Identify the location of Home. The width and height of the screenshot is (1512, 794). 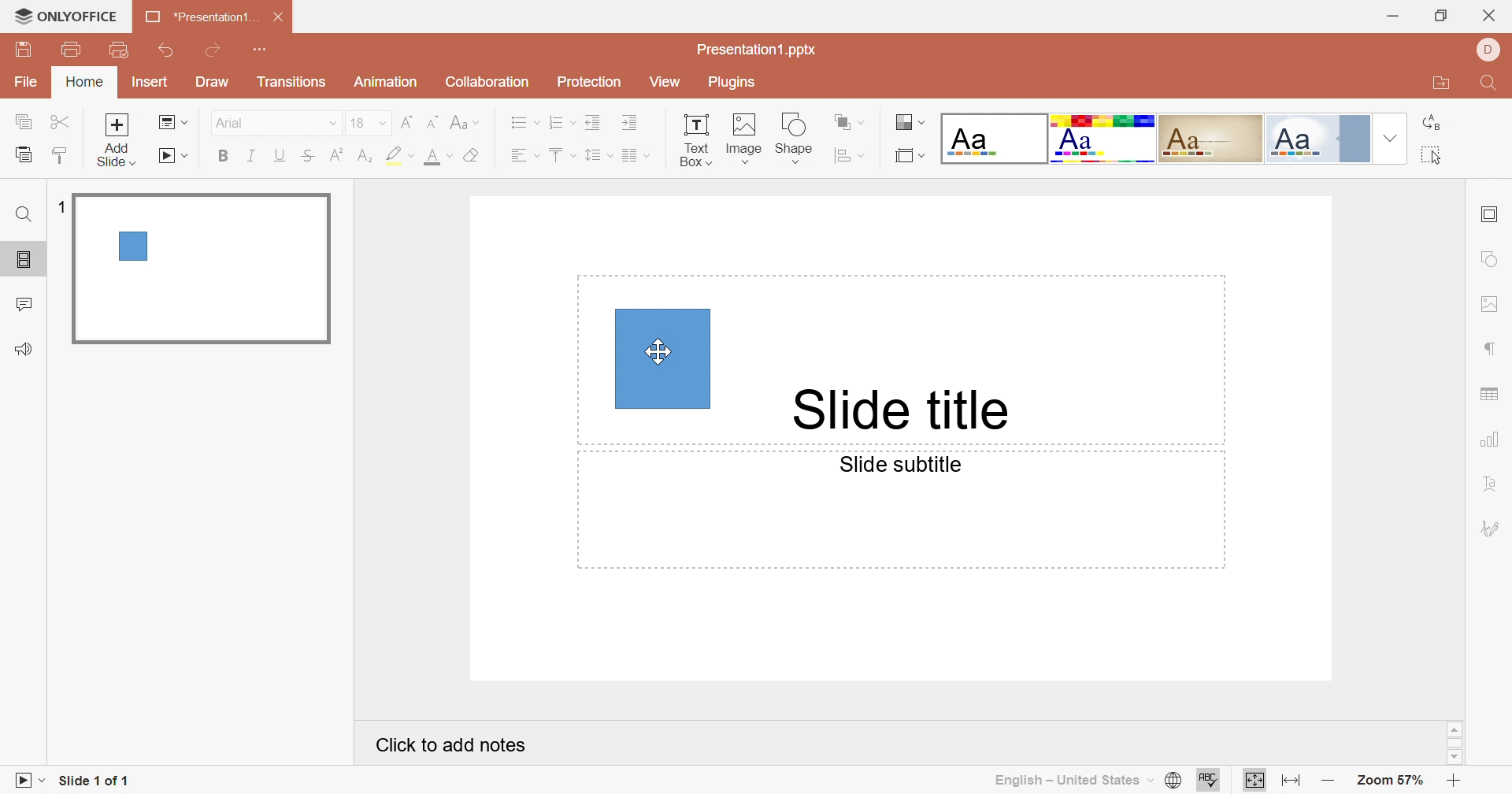
(84, 83).